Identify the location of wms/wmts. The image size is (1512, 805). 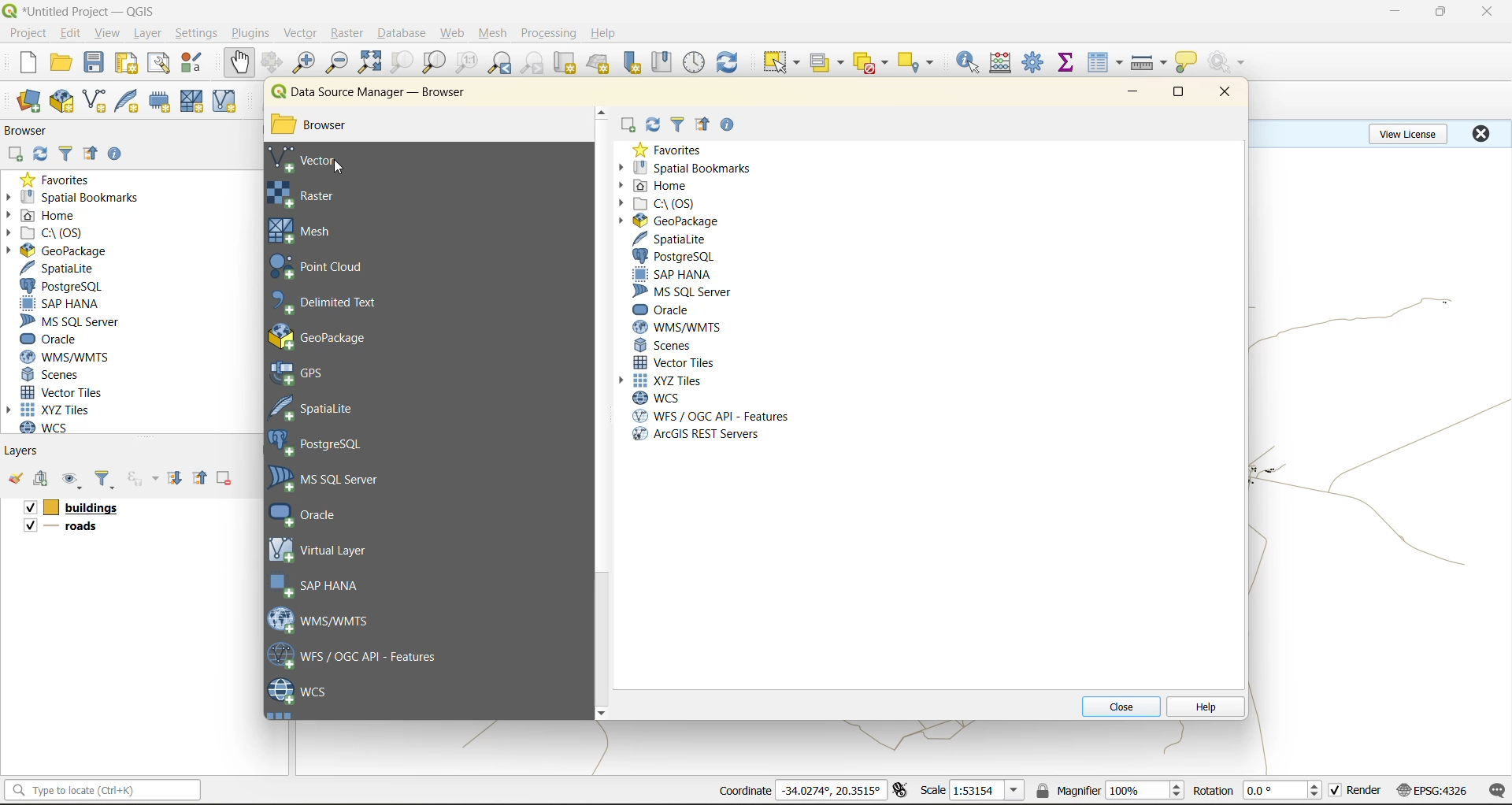
(681, 327).